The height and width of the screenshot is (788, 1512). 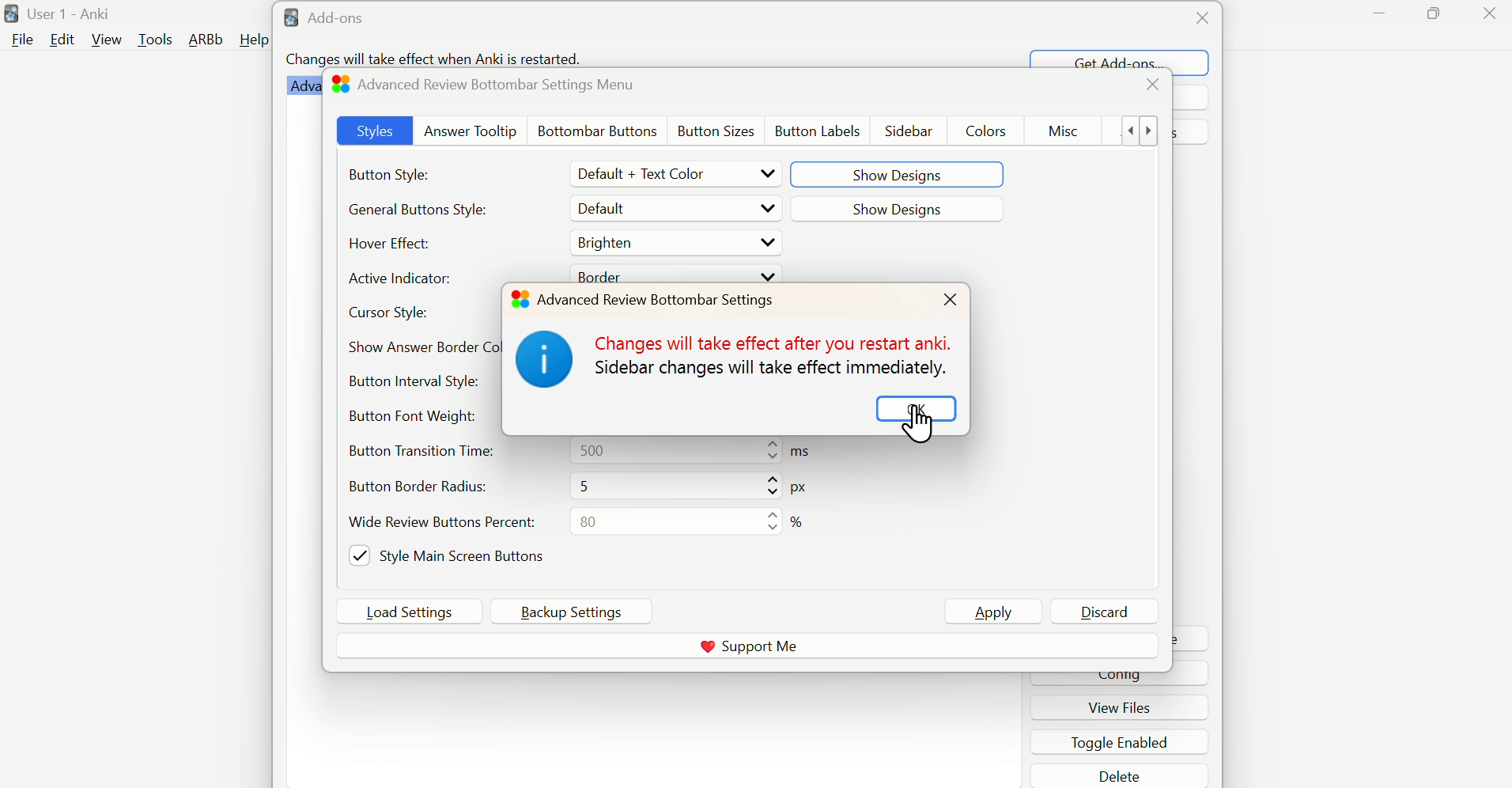 I want to click on Show Designss, so click(x=889, y=210).